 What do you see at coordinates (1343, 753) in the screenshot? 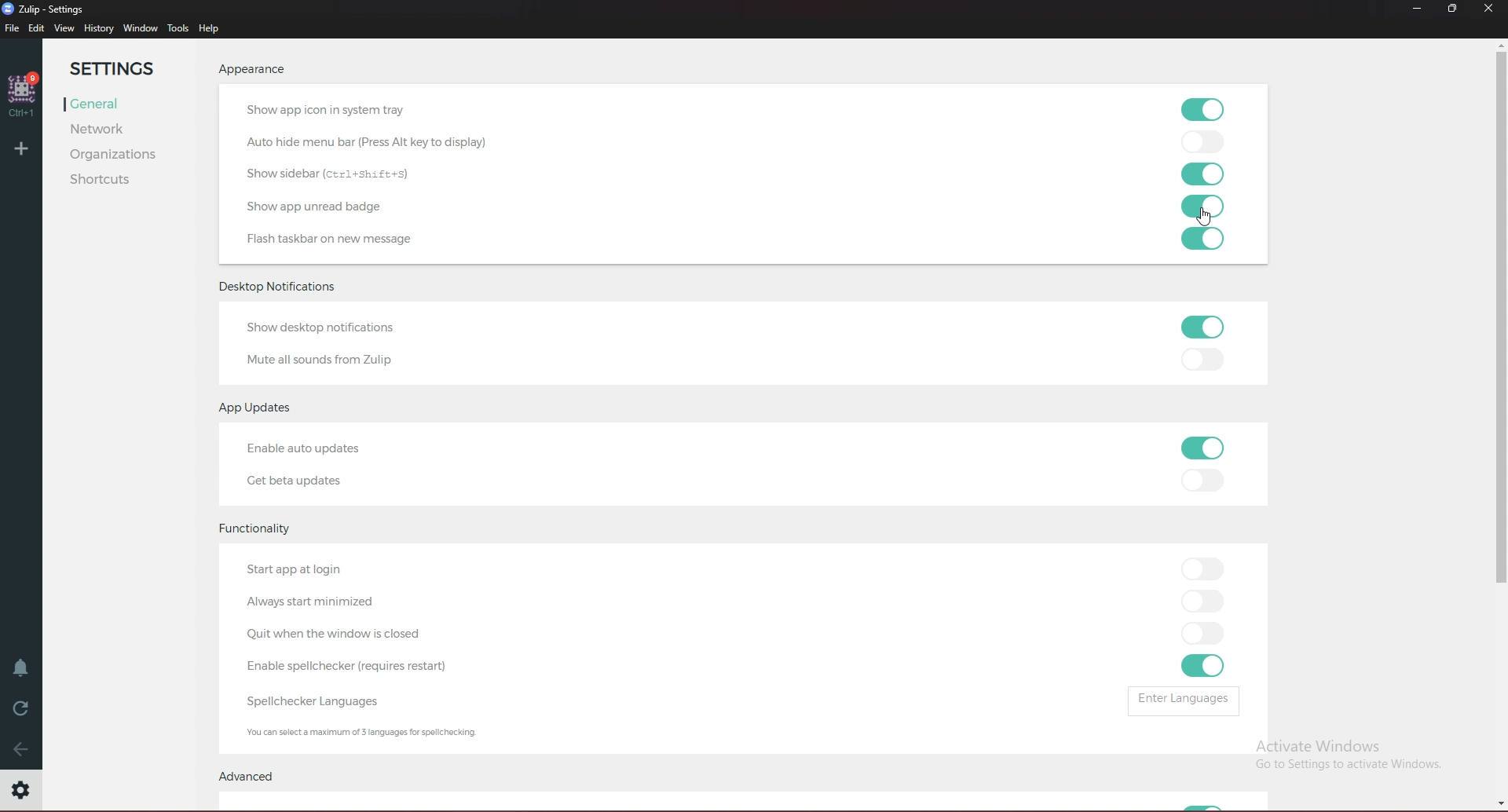
I see `Activate Windows
Go to Settings to activate Windows.` at bounding box center [1343, 753].